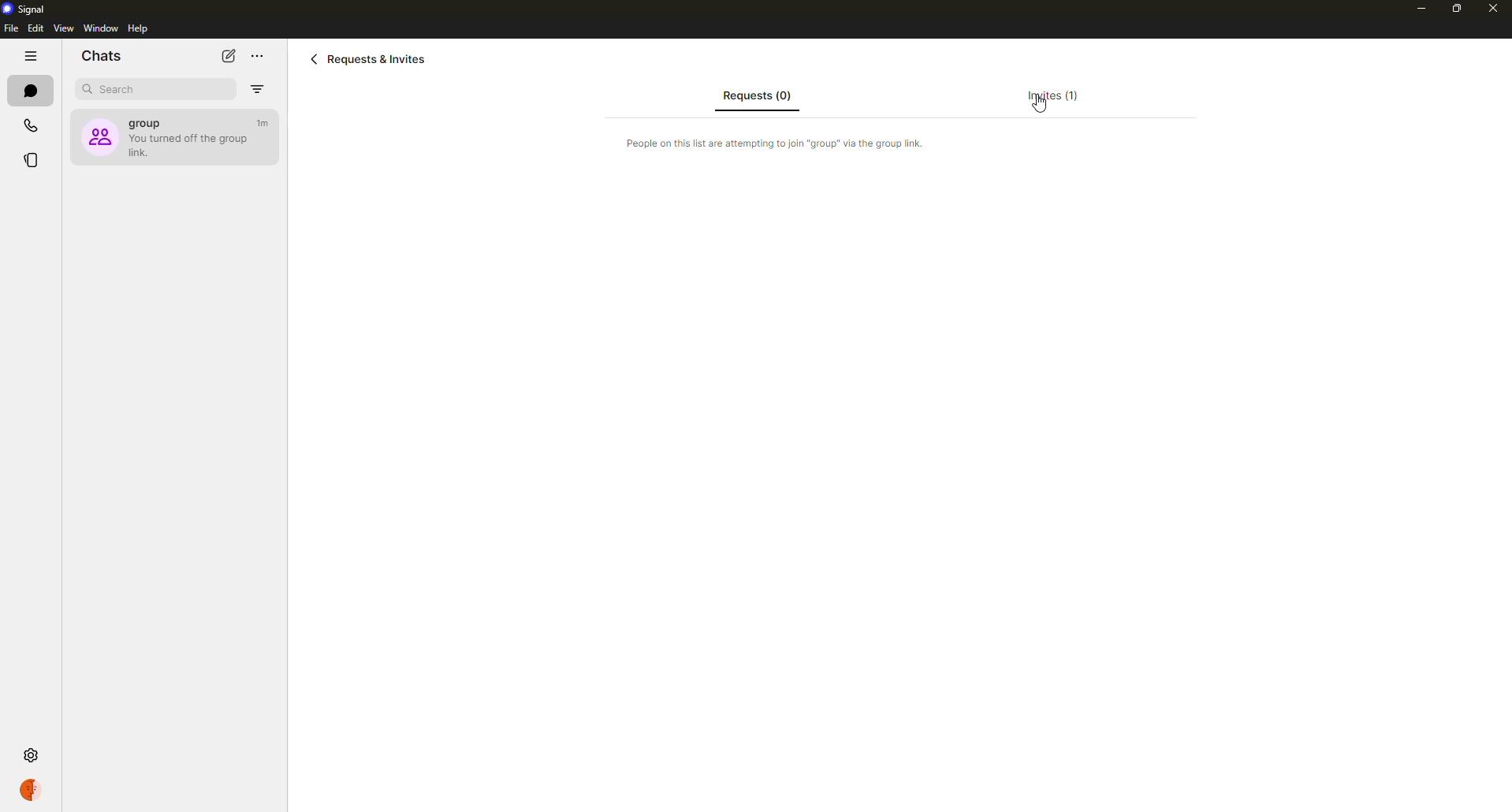 The height and width of the screenshot is (812, 1512). What do you see at coordinates (30, 754) in the screenshot?
I see `settings` at bounding box center [30, 754].